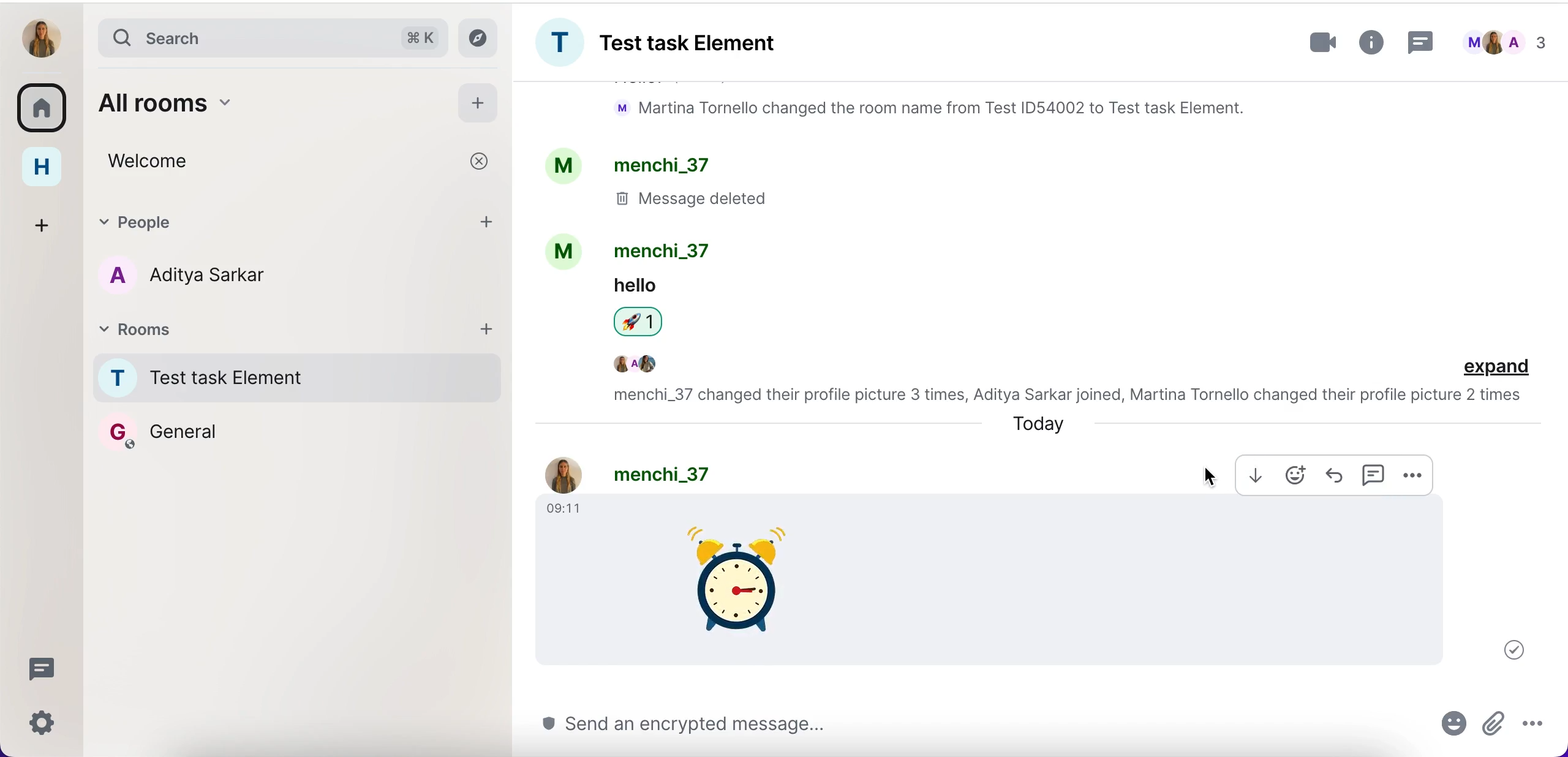 This screenshot has width=1568, height=757. I want to click on rooms, so click(43, 107).